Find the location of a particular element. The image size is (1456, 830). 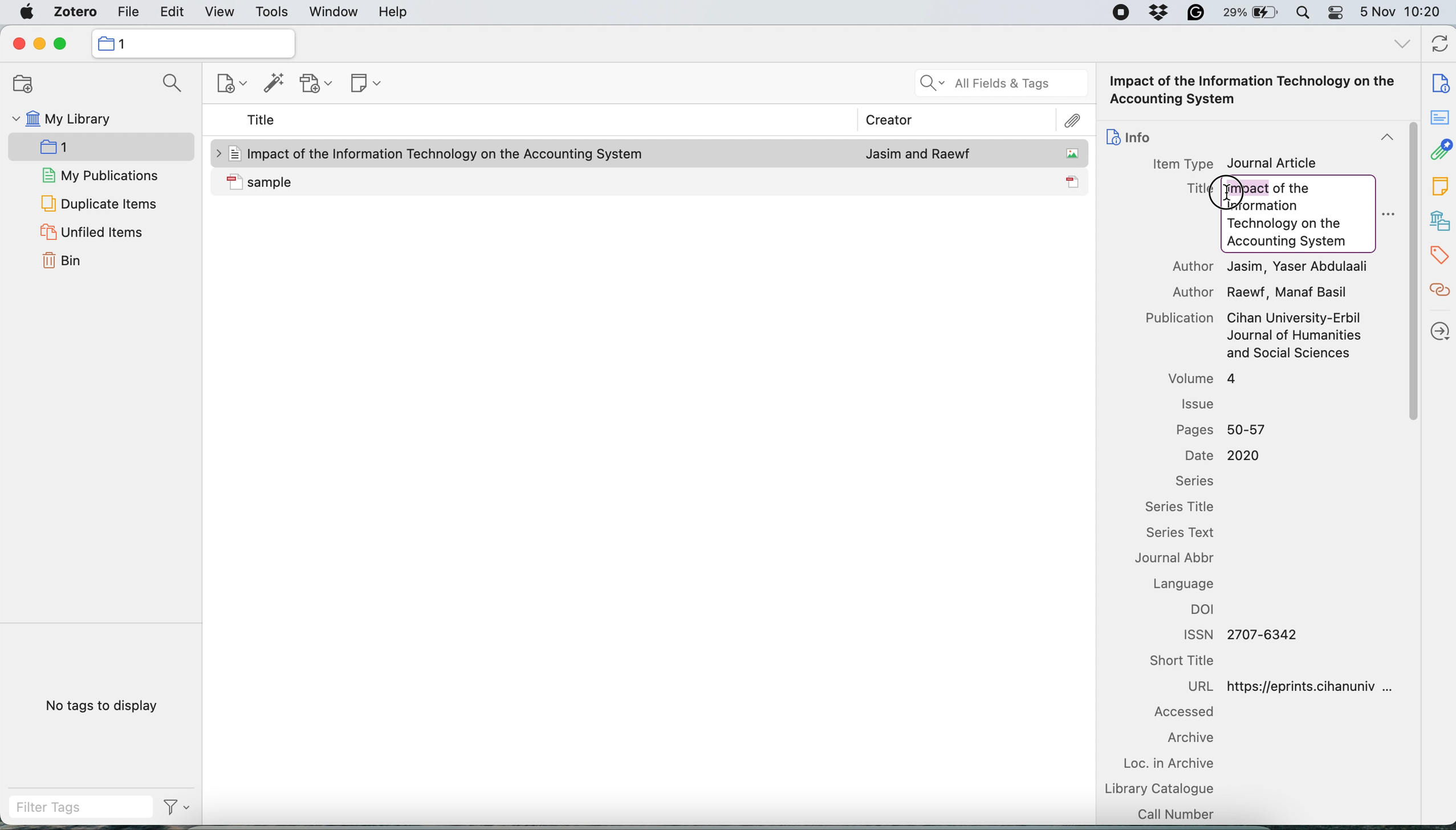

library catalogue is located at coordinates (1173, 788).